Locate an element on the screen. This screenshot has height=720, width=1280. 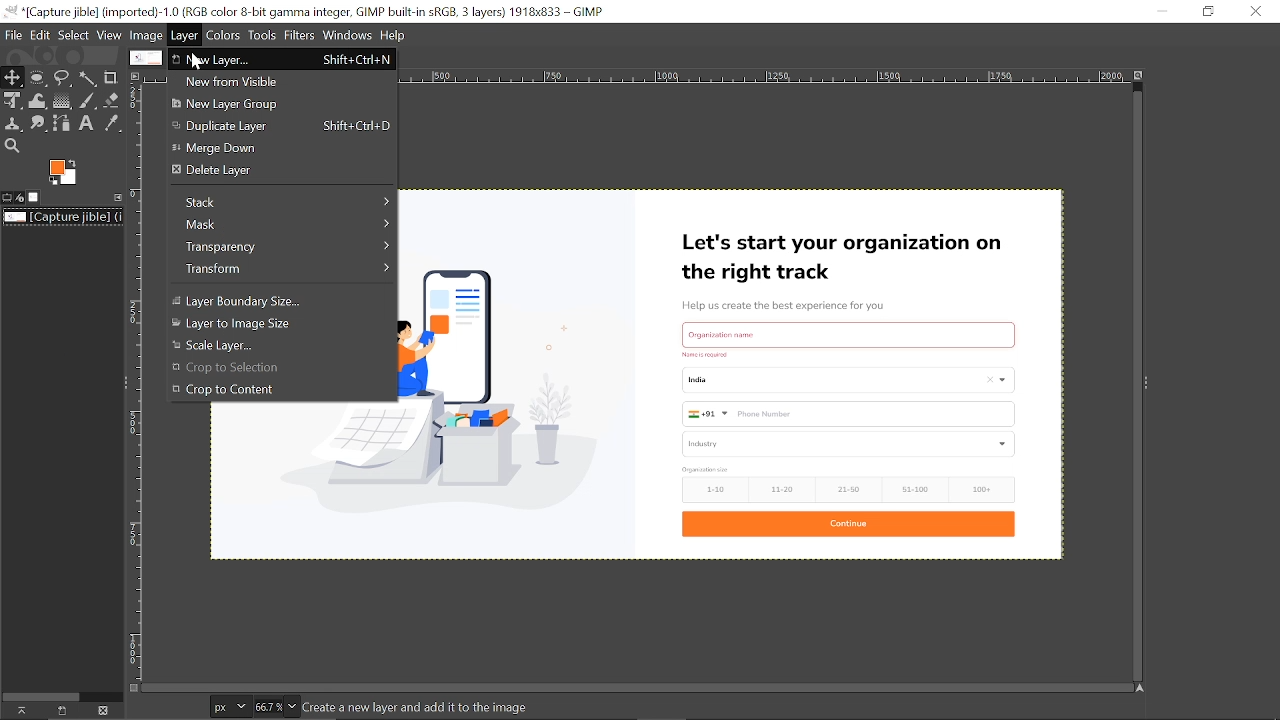
Images is located at coordinates (34, 197).